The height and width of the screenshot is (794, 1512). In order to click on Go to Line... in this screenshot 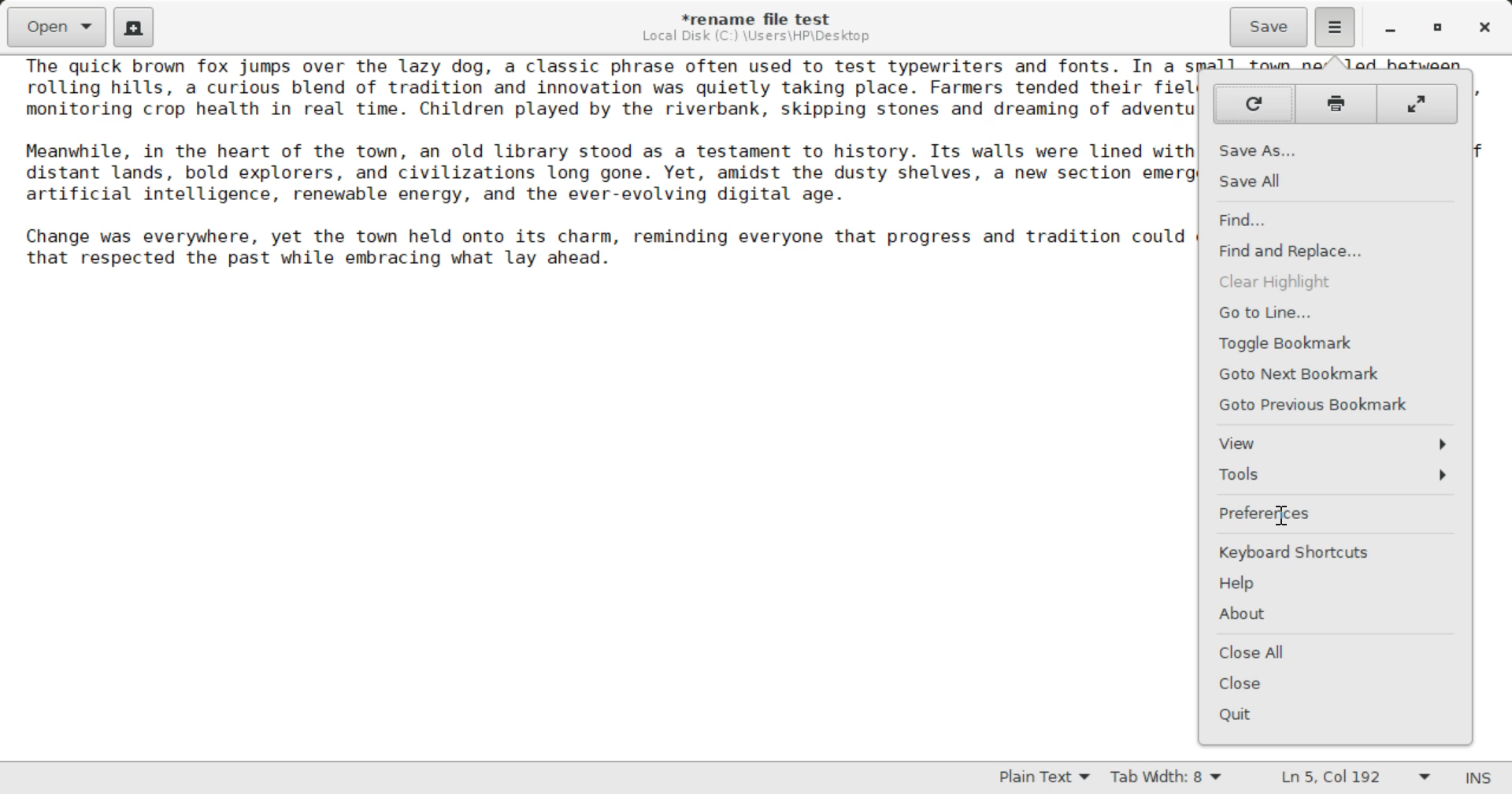, I will do `click(1336, 313)`.